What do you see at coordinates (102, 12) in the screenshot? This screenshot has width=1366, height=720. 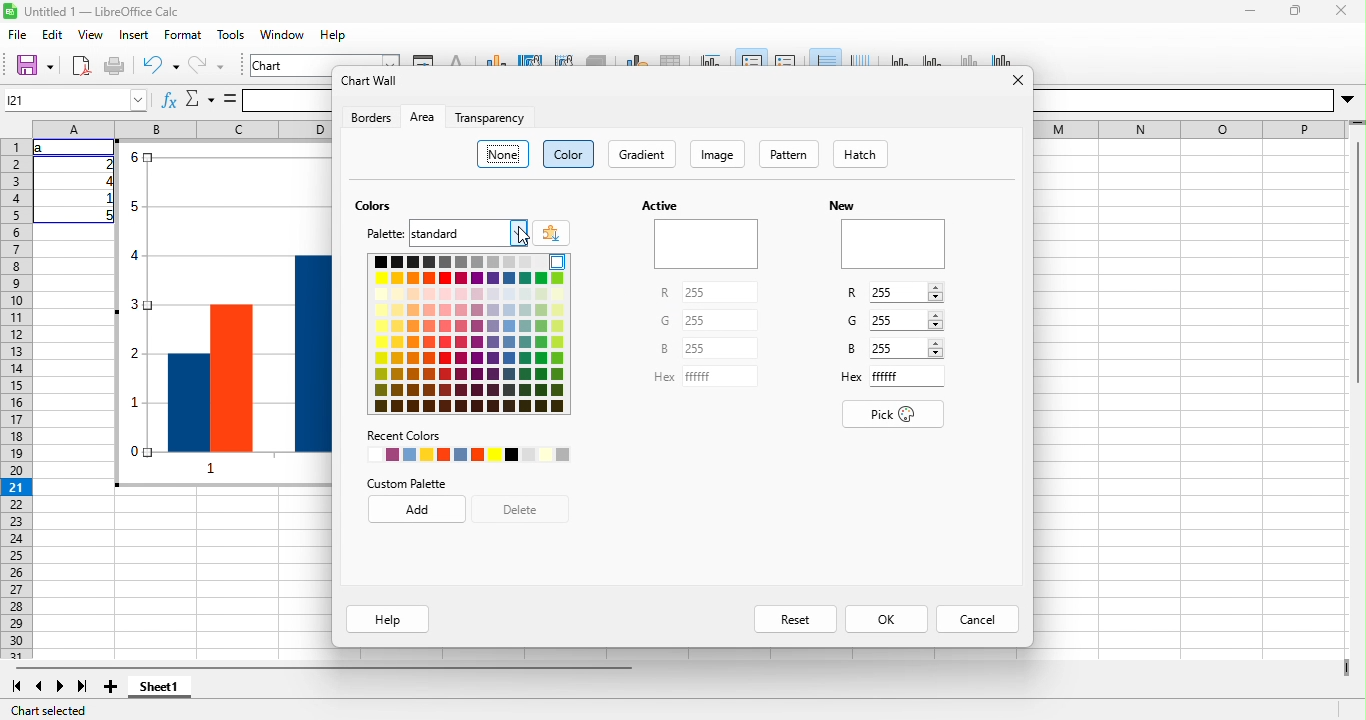 I see `Untitled 1 — LibreOffice Calc` at bounding box center [102, 12].